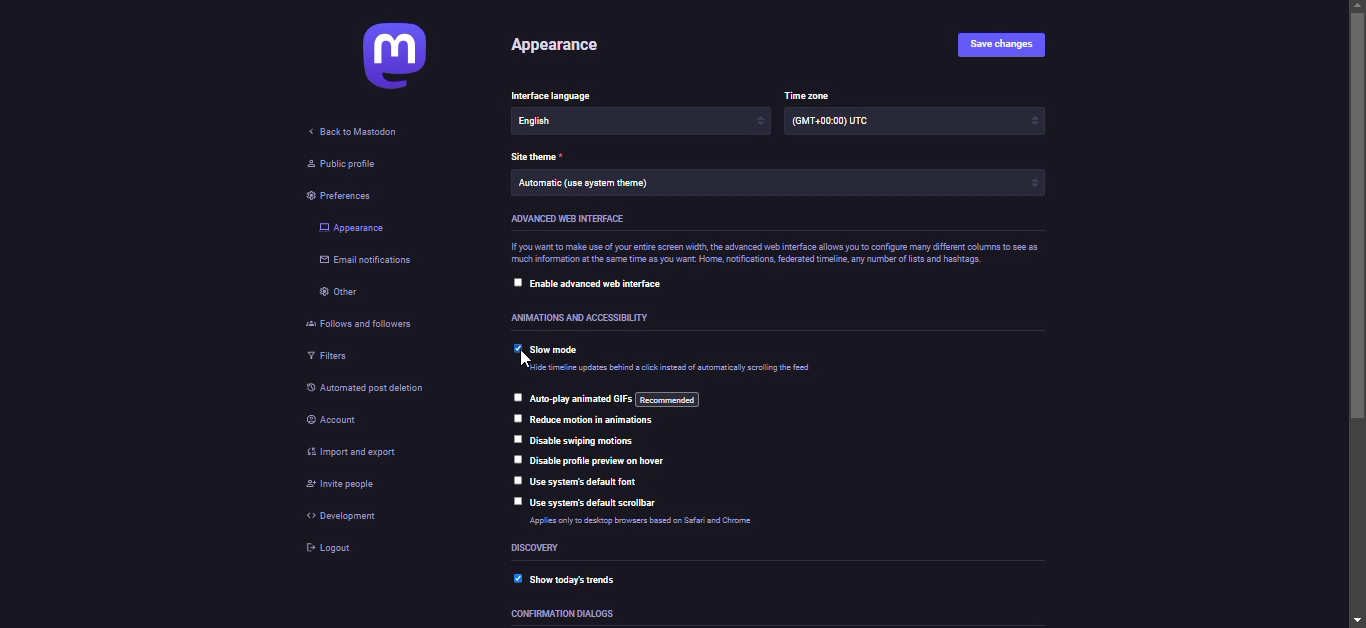  Describe the element at coordinates (515, 349) in the screenshot. I see `Selected: click to select` at that location.